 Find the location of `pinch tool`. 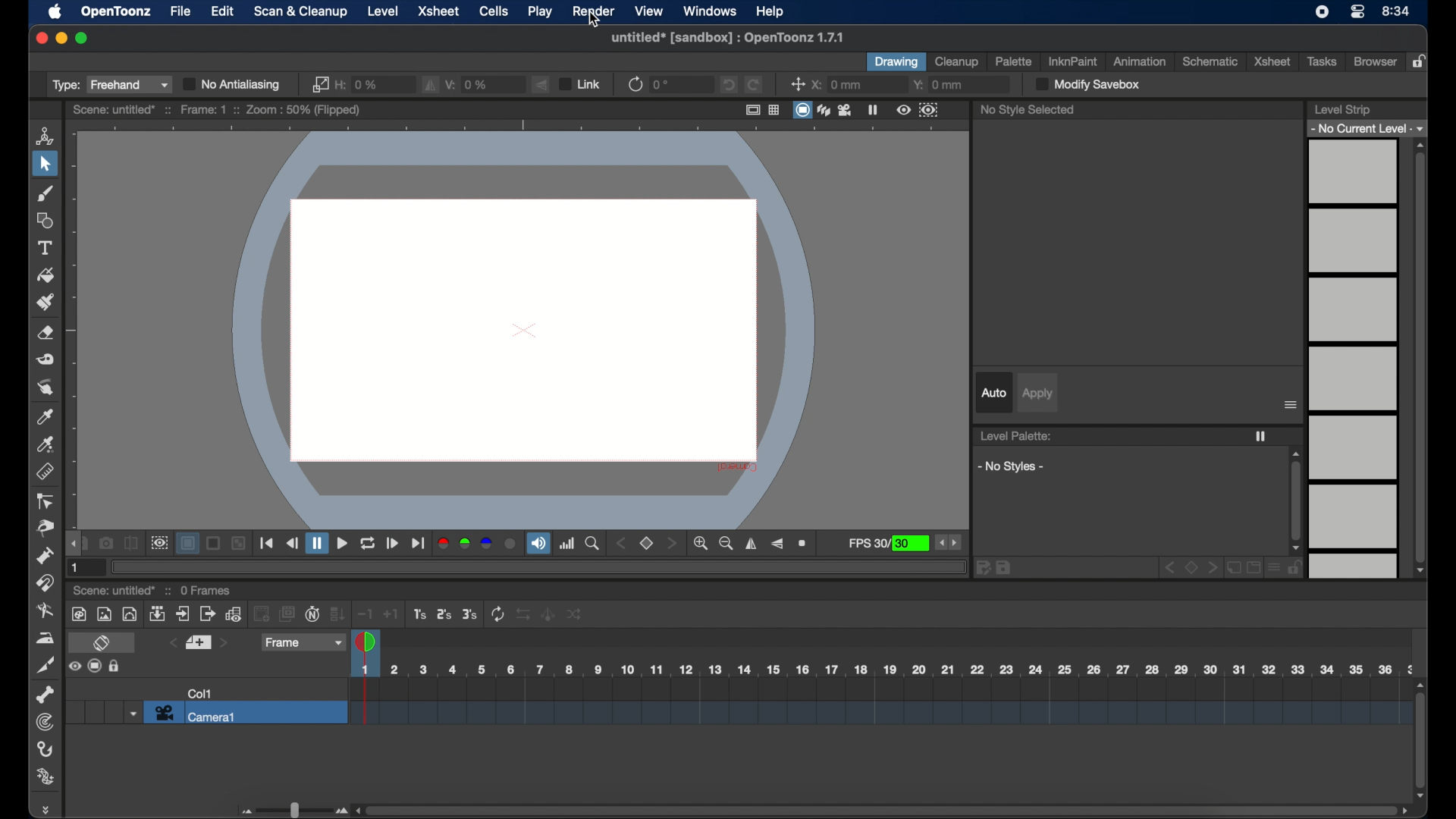

pinch tool is located at coordinates (42, 529).